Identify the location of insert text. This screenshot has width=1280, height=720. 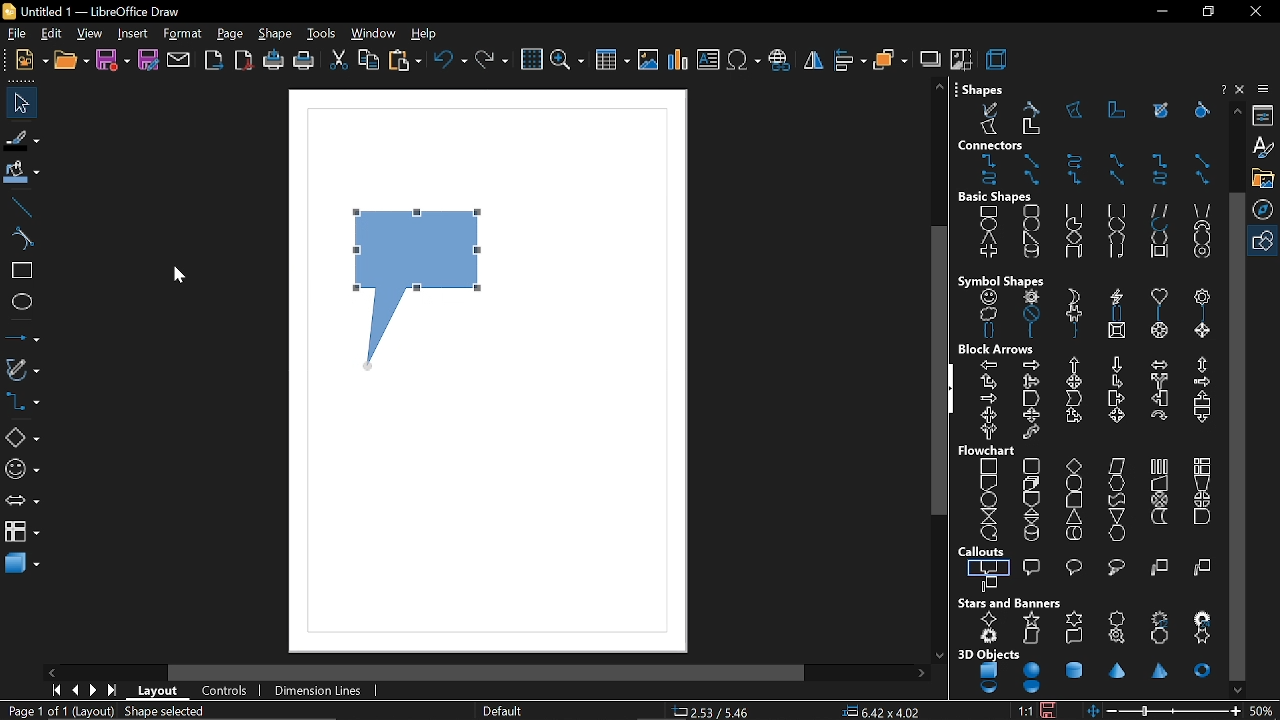
(709, 61).